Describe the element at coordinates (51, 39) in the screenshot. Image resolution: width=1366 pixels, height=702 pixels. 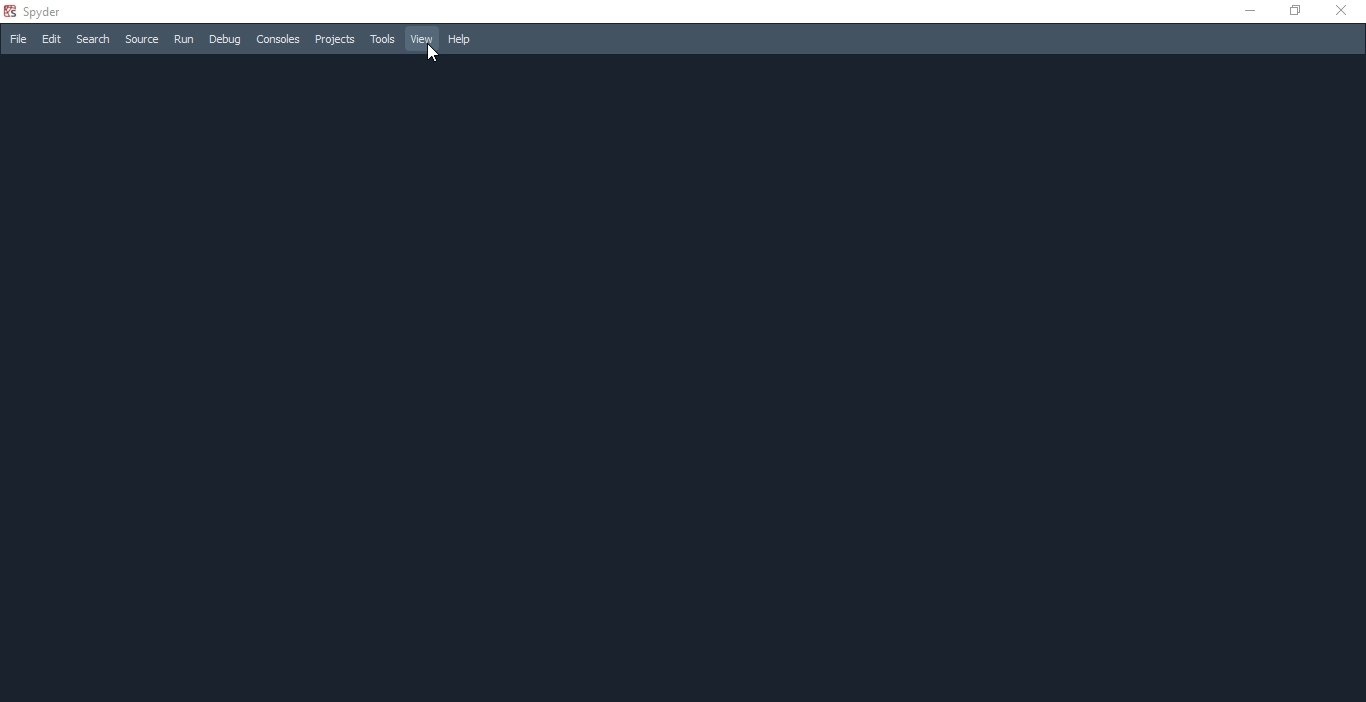
I see `edit` at that location.